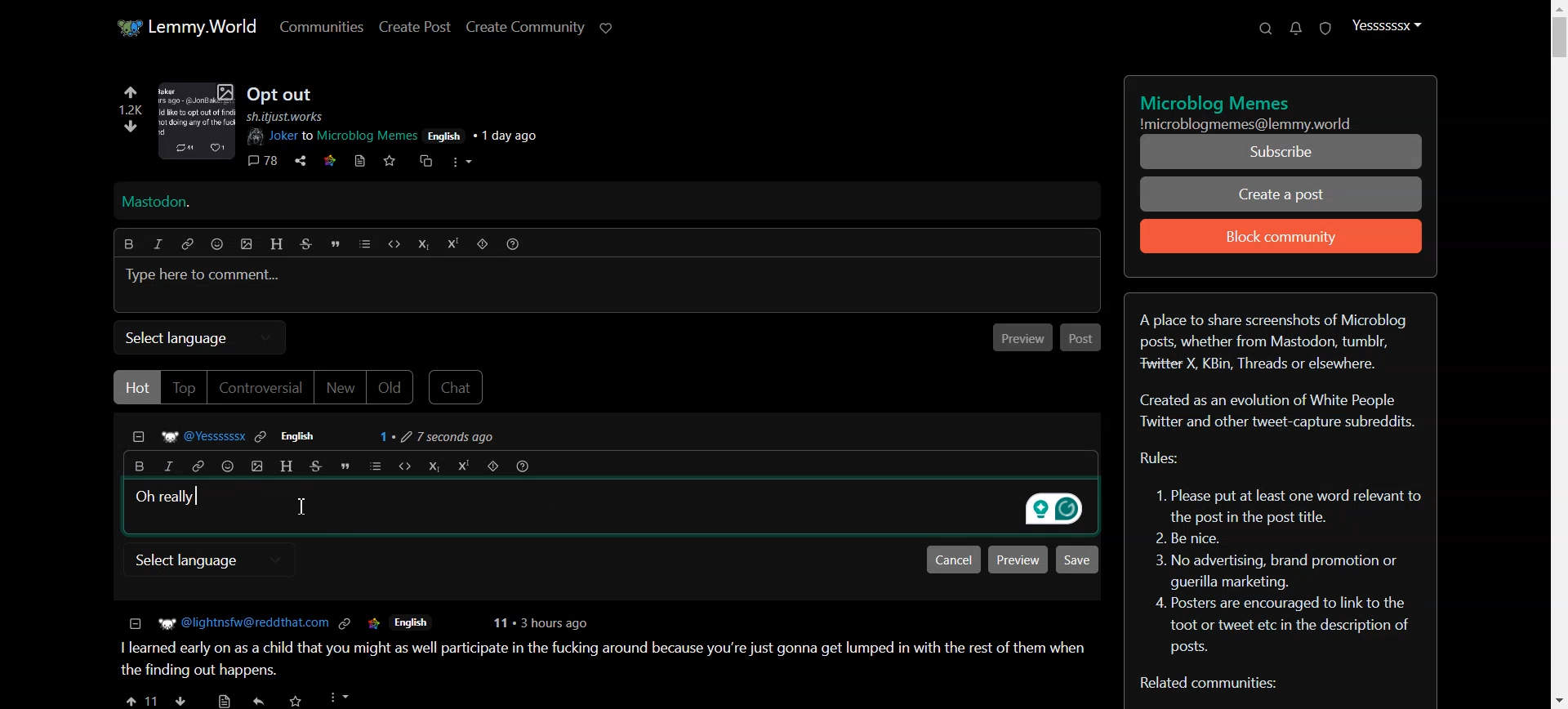  I want to click on title, so click(1246, 100).